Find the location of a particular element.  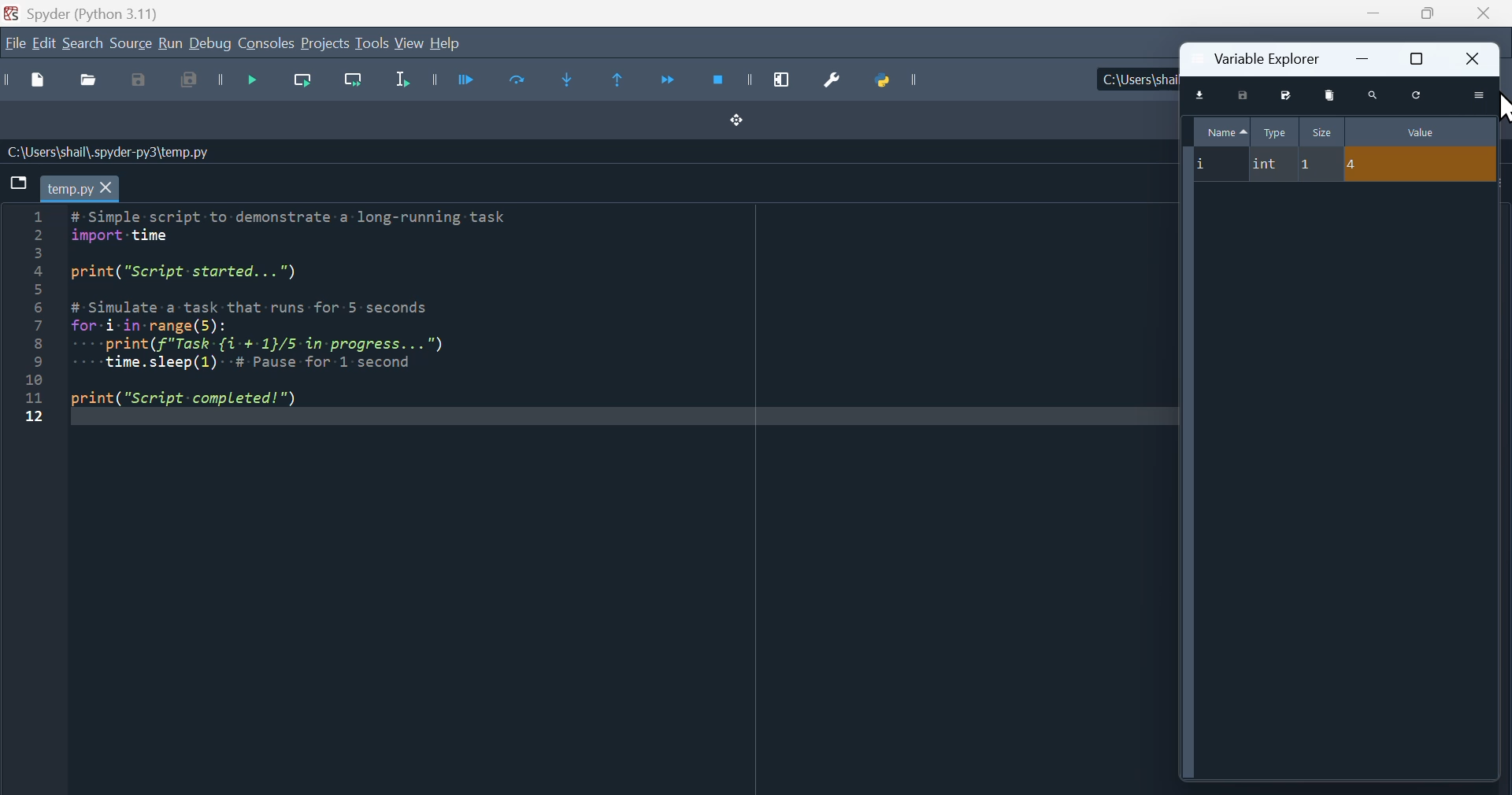

1 is located at coordinates (1319, 165).